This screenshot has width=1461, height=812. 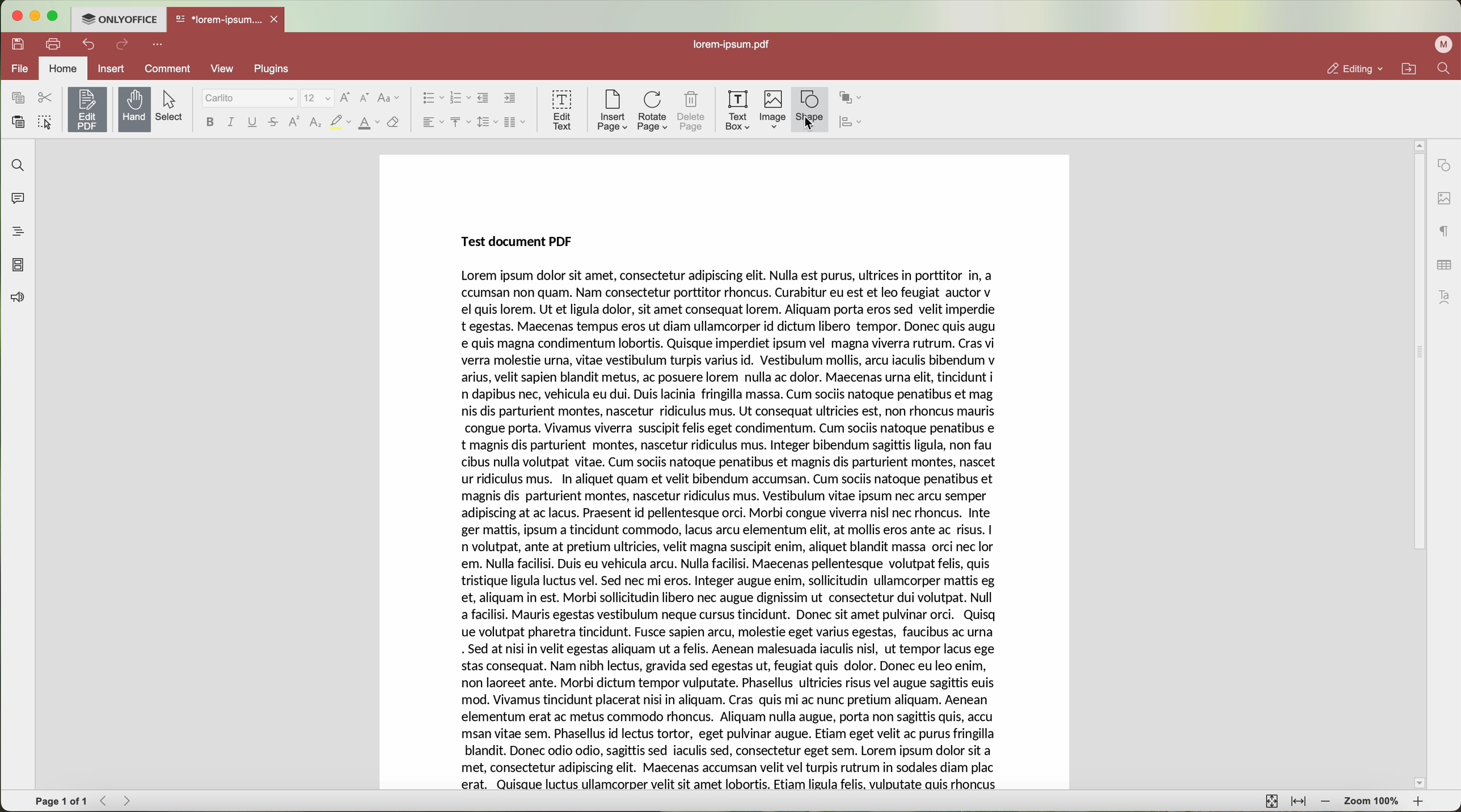 I want to click on horizontal align, so click(x=430, y=122).